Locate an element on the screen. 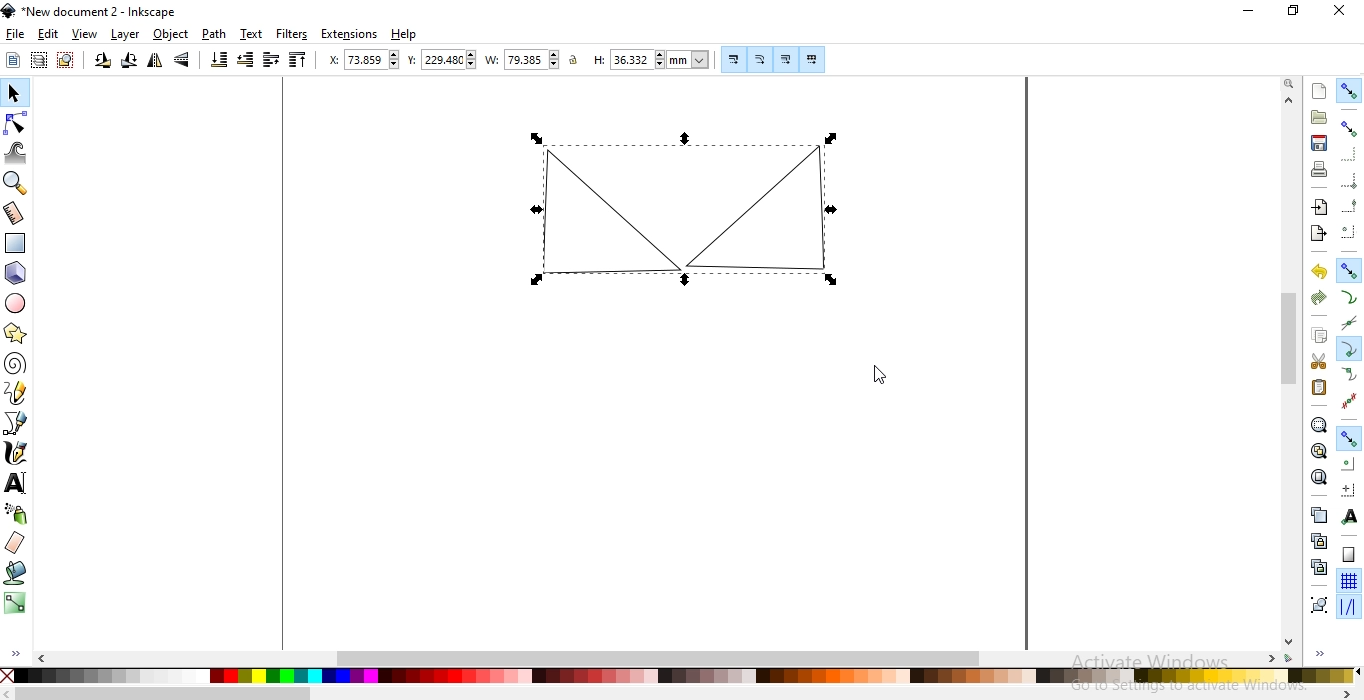 This screenshot has height=700, width=1364. extensions is located at coordinates (350, 35).